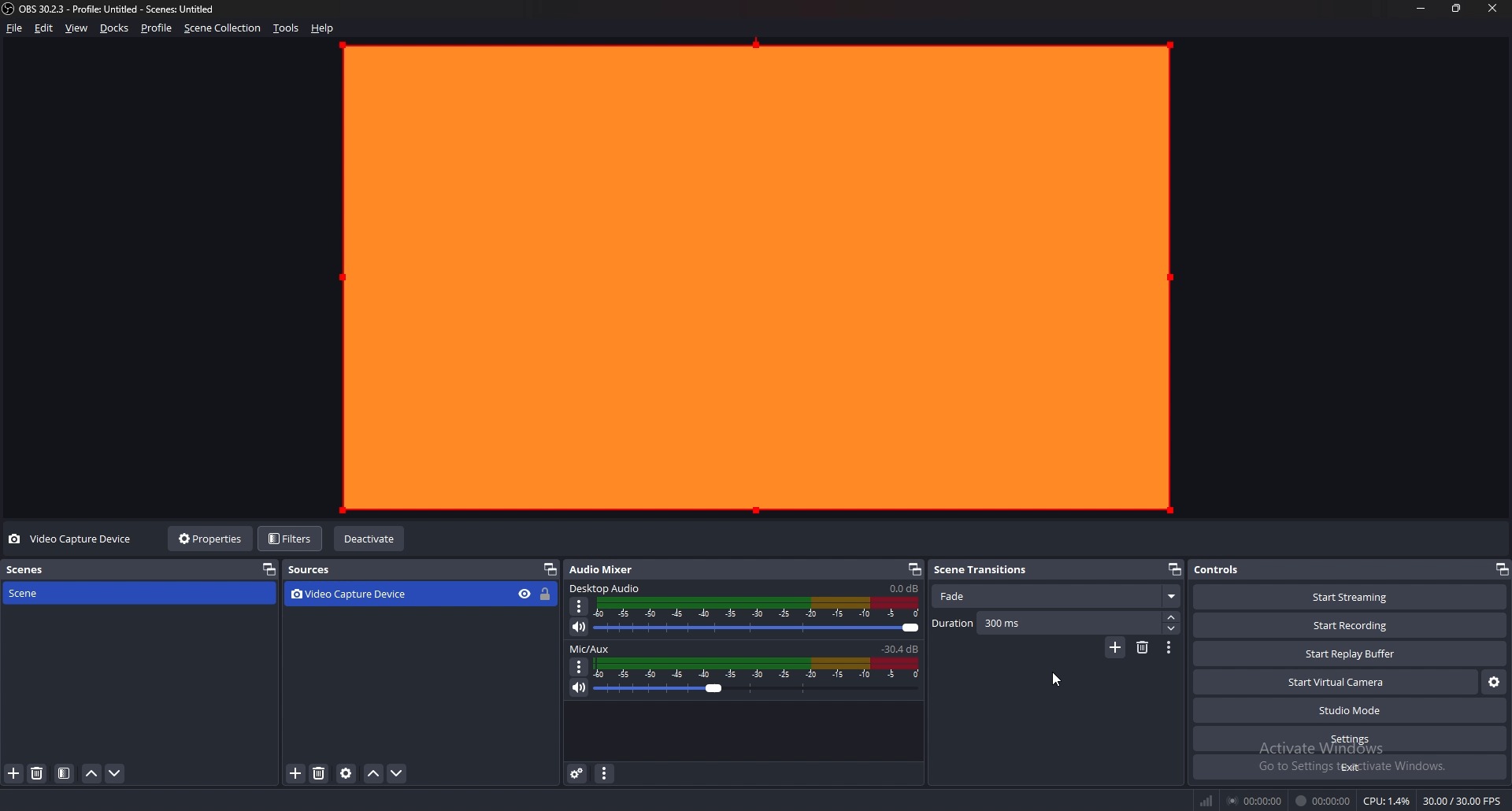  What do you see at coordinates (603, 773) in the screenshot?
I see `audio mixer properties` at bounding box center [603, 773].